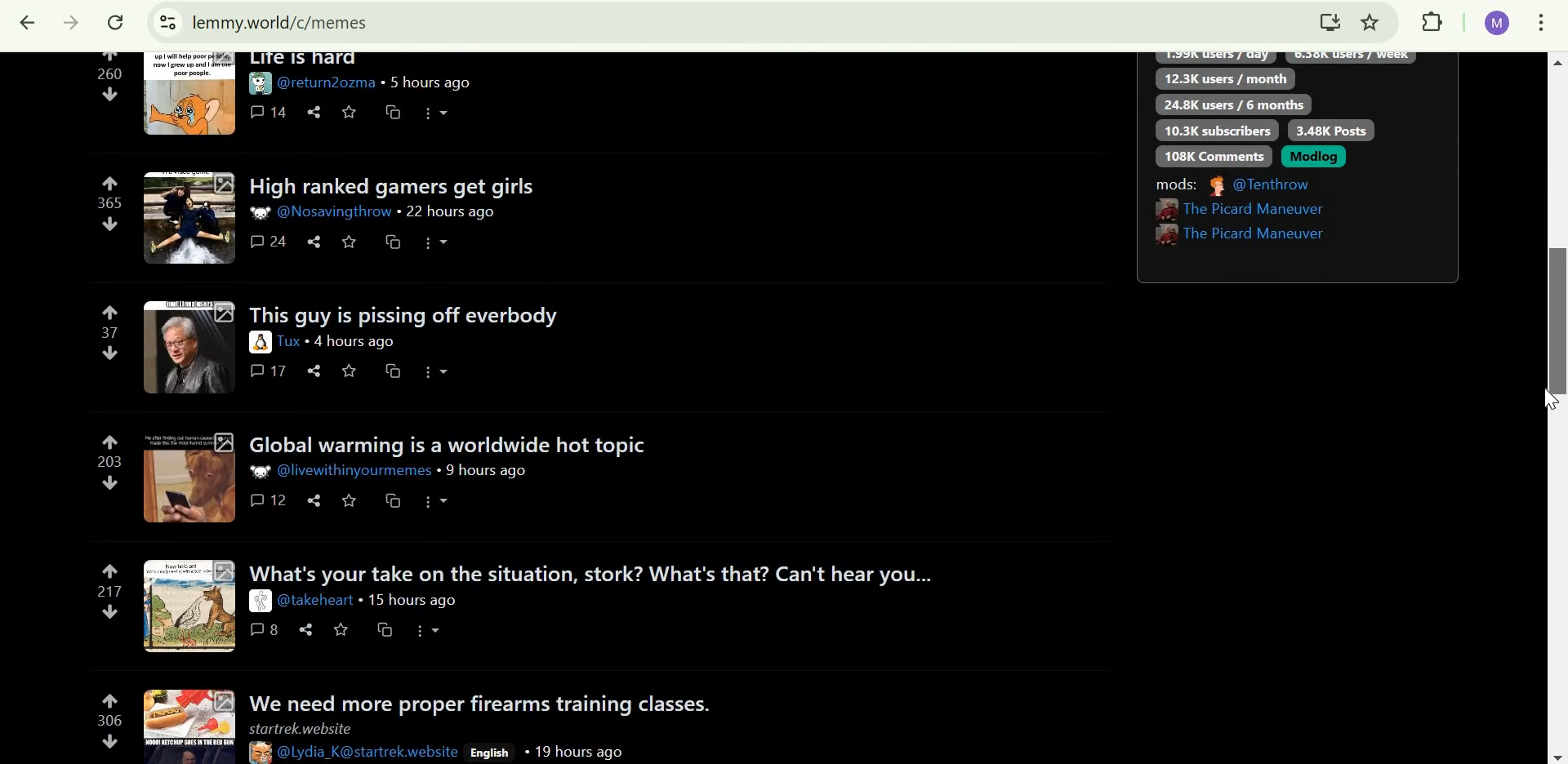  I want to click on picture, so click(263, 472).